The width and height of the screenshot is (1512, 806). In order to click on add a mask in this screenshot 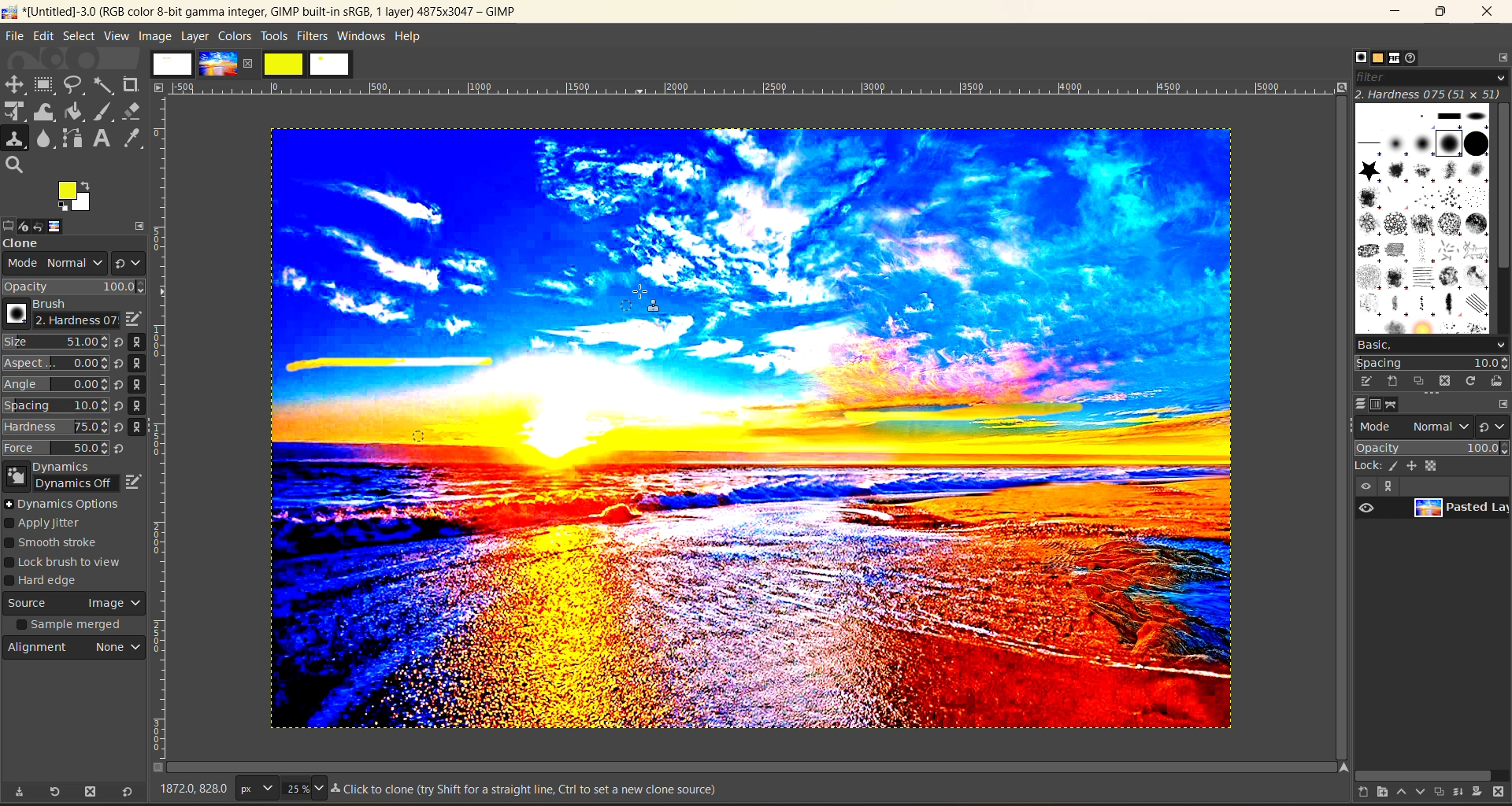, I will do `click(1479, 793)`.